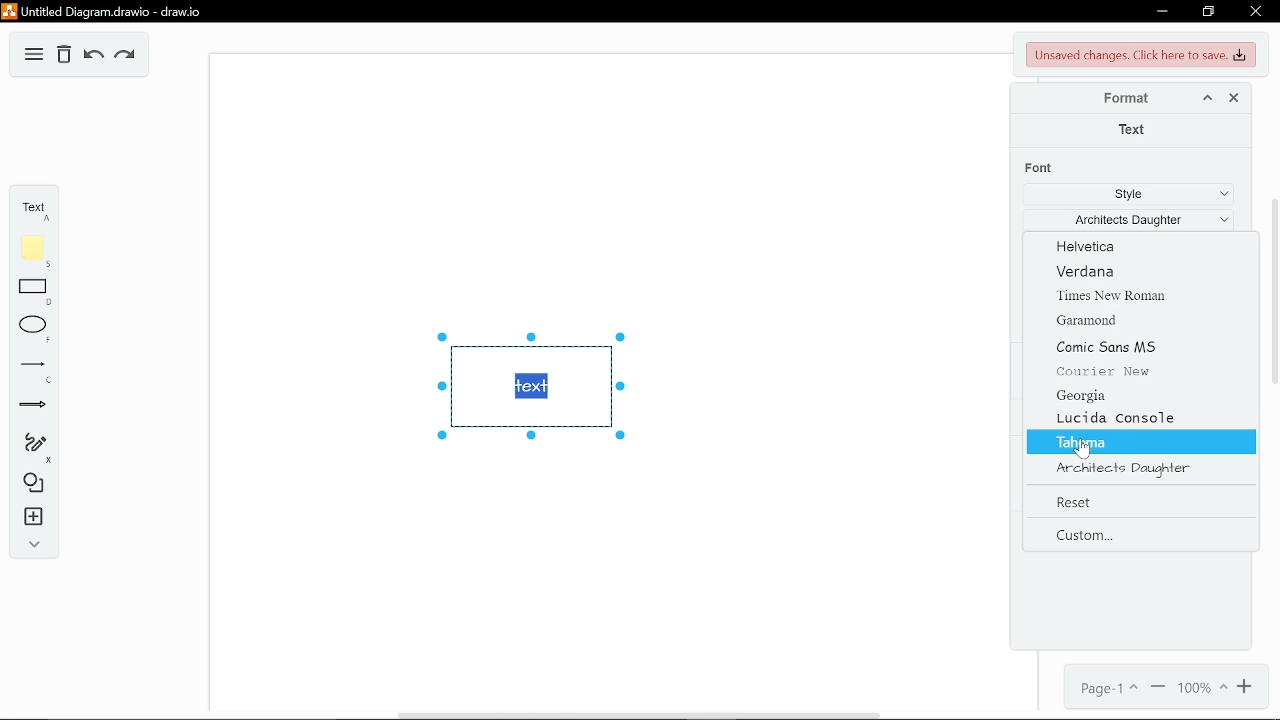 This screenshot has width=1280, height=720. I want to click on lucida console, so click(1140, 418).